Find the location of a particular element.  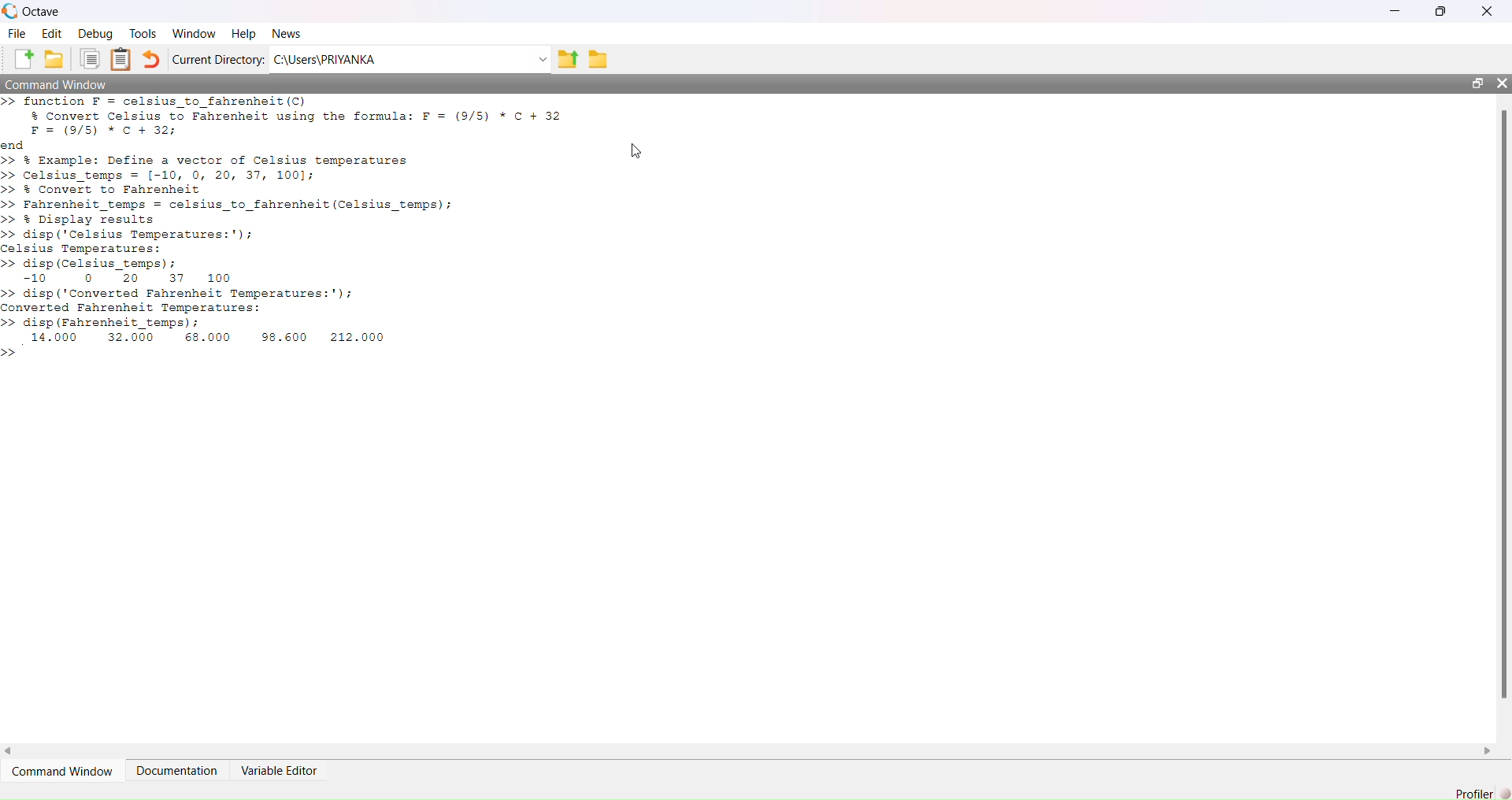

cursor is located at coordinates (636, 150).